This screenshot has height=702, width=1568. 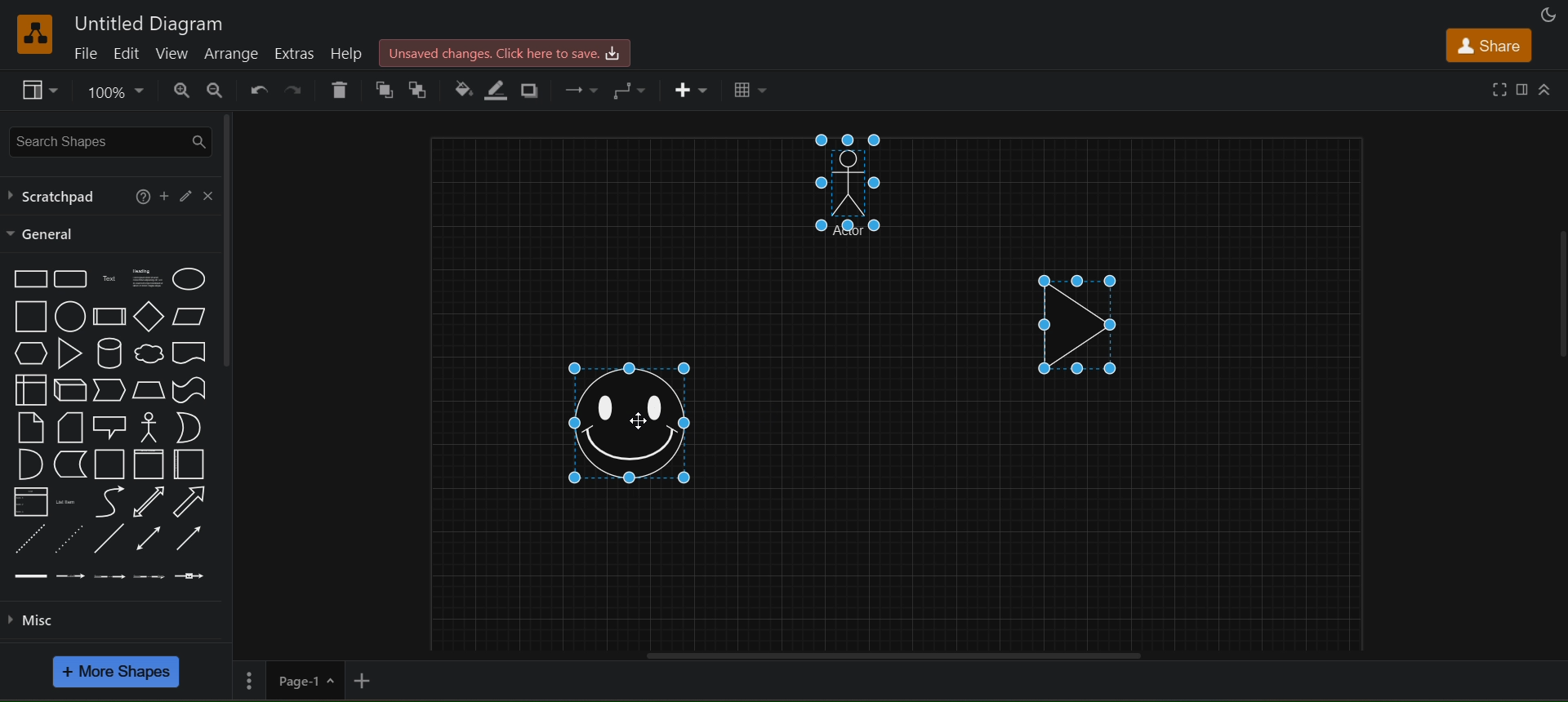 I want to click on cloud, so click(x=149, y=353).